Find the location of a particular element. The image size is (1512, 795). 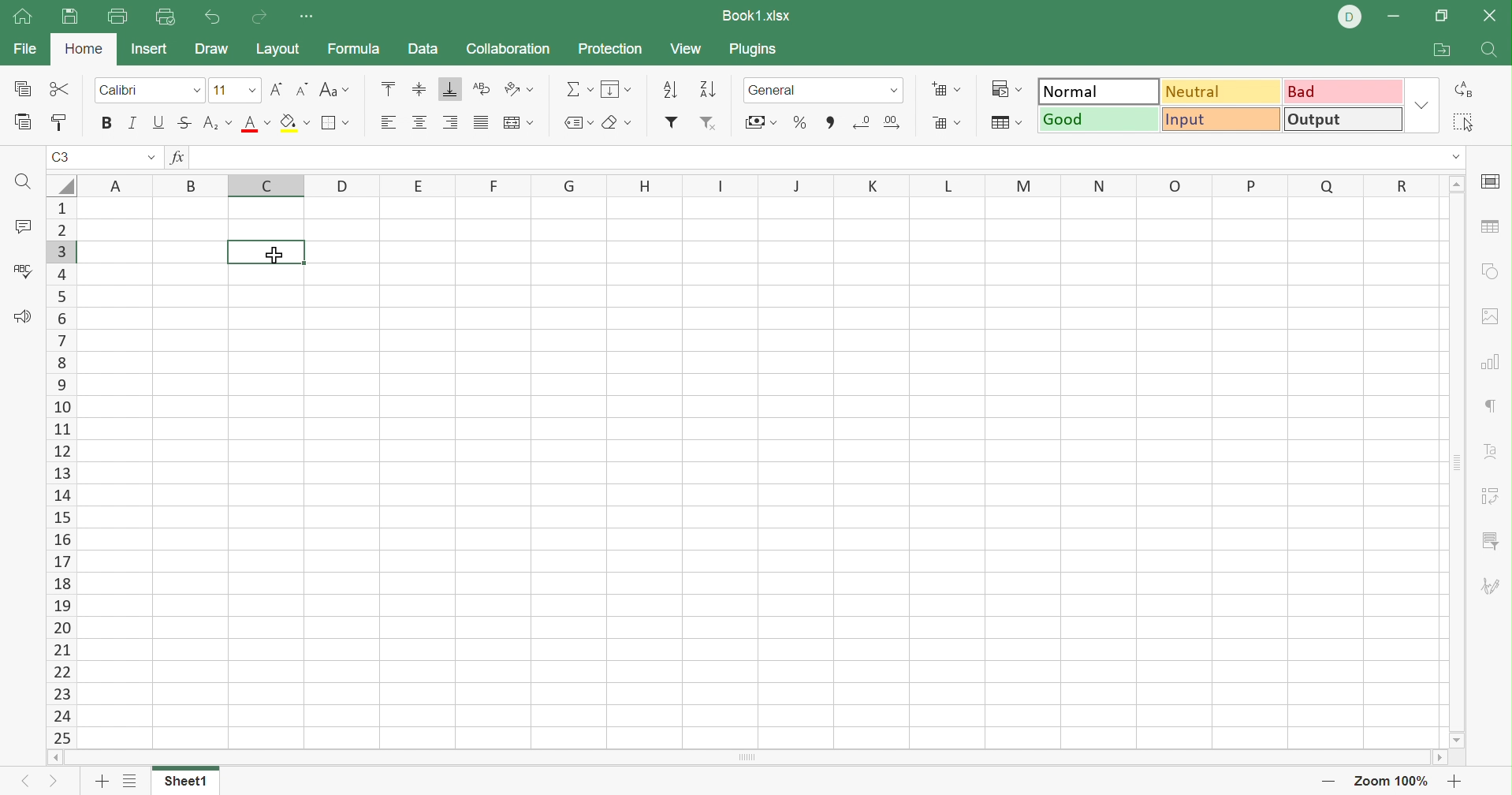

Cursor is located at coordinates (277, 256).